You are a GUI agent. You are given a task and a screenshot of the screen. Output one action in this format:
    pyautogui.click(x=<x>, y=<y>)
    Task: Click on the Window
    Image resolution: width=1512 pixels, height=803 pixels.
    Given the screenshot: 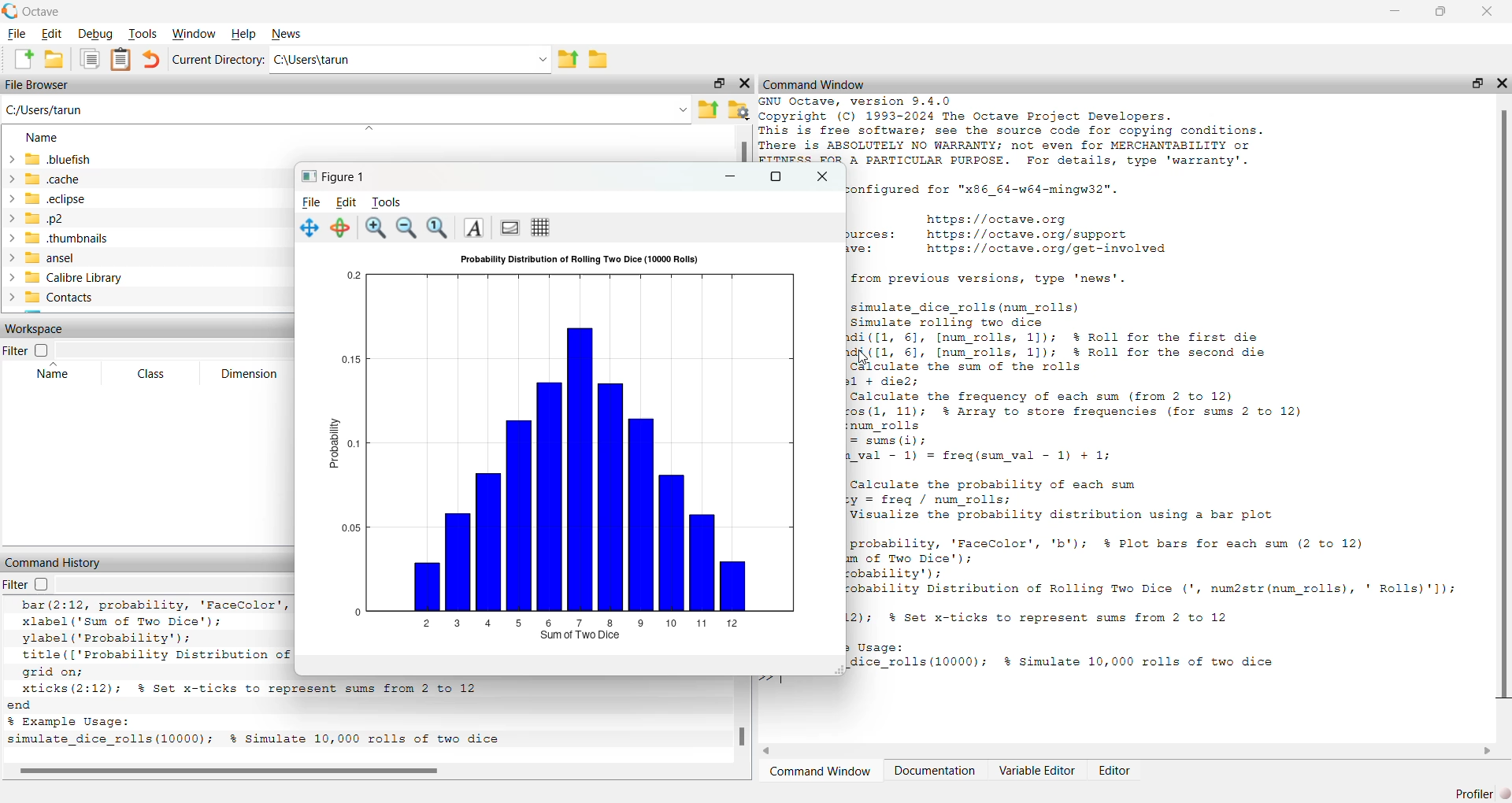 What is the action you would take?
    pyautogui.click(x=193, y=32)
    